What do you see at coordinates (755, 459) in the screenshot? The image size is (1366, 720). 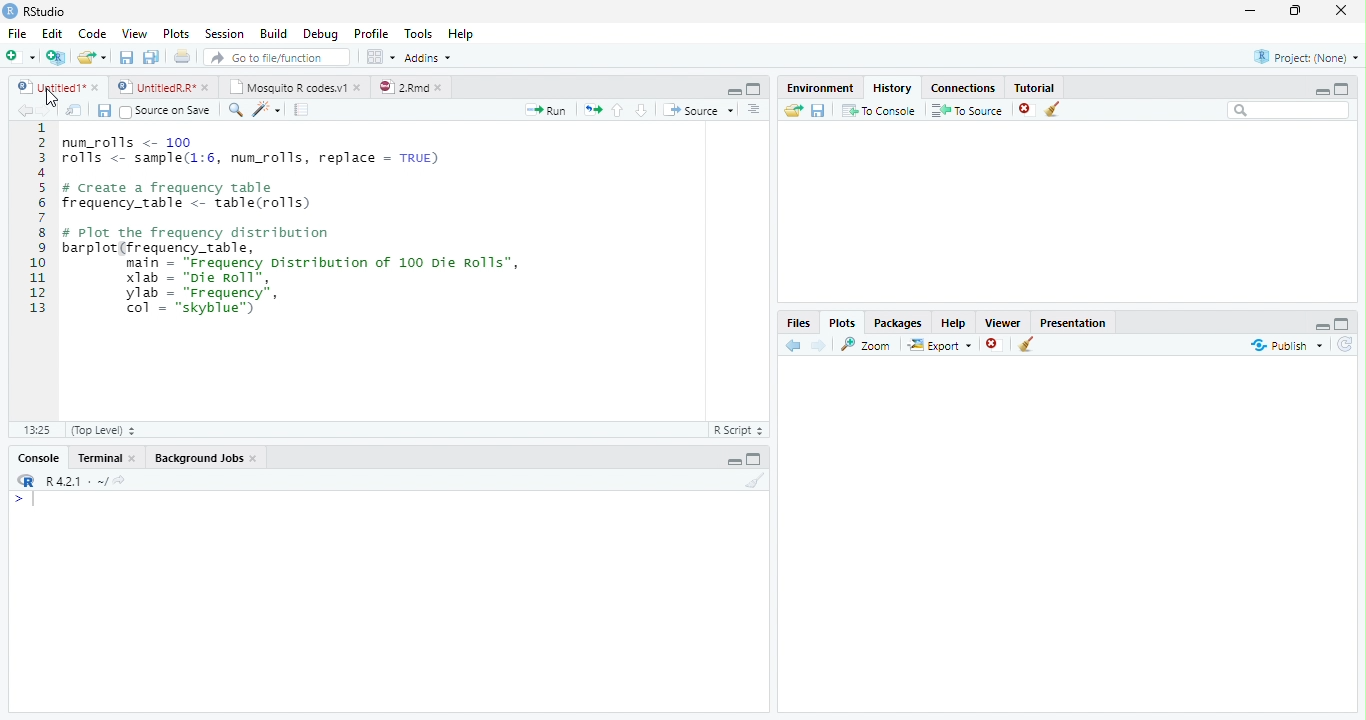 I see `Expand Height` at bounding box center [755, 459].